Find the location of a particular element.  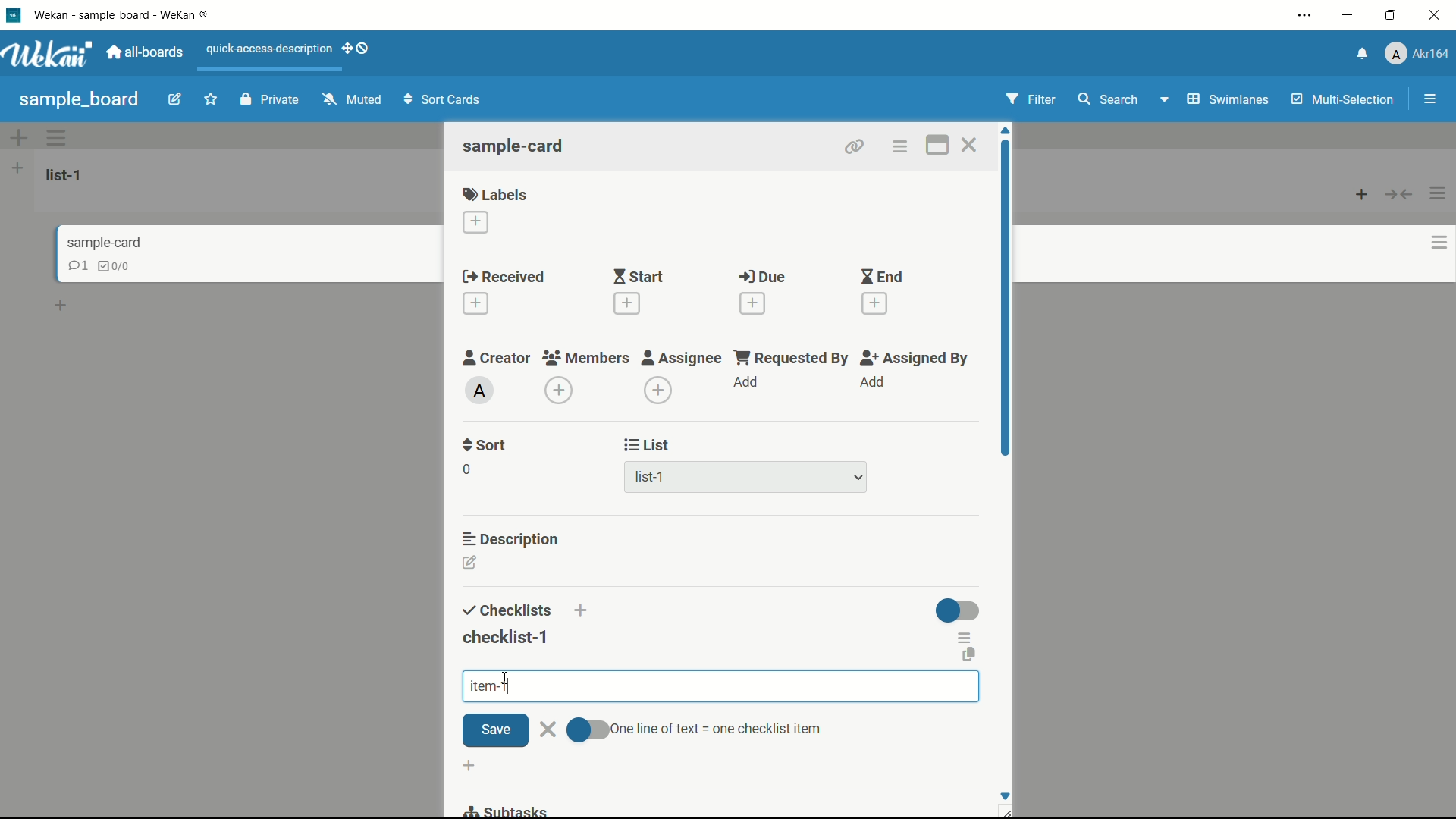

due is located at coordinates (762, 278).